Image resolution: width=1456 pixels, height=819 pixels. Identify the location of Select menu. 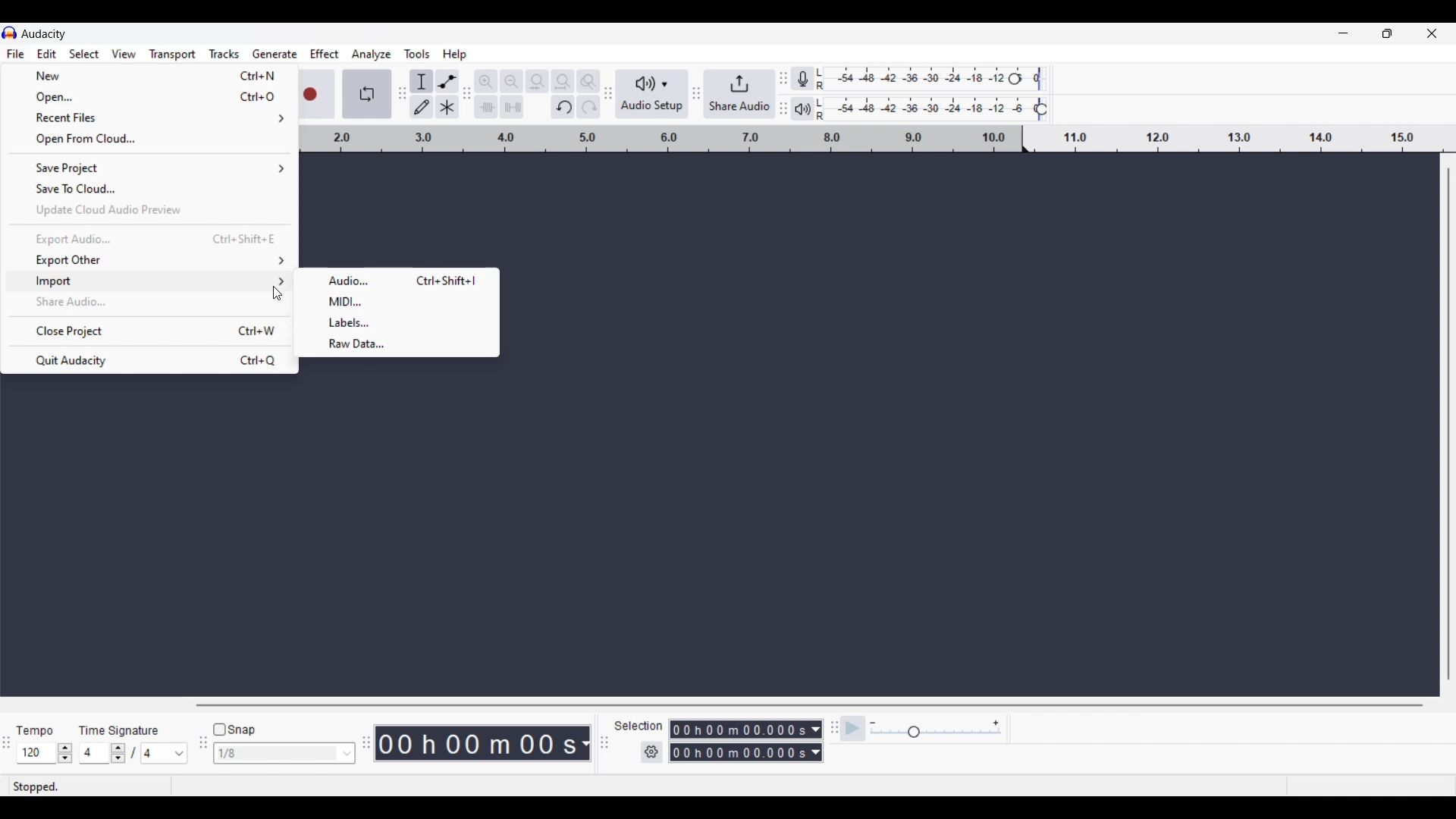
(85, 54).